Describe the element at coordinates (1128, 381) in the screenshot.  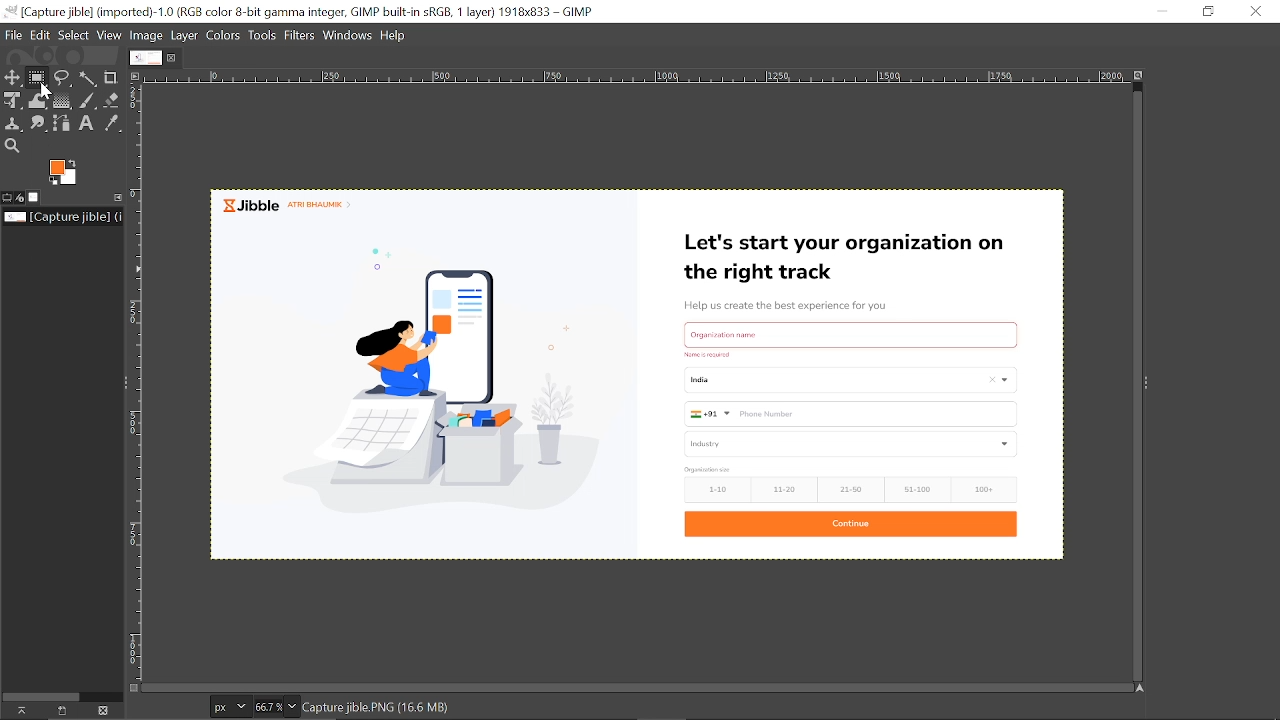
I see `vertical scroll bar` at that location.